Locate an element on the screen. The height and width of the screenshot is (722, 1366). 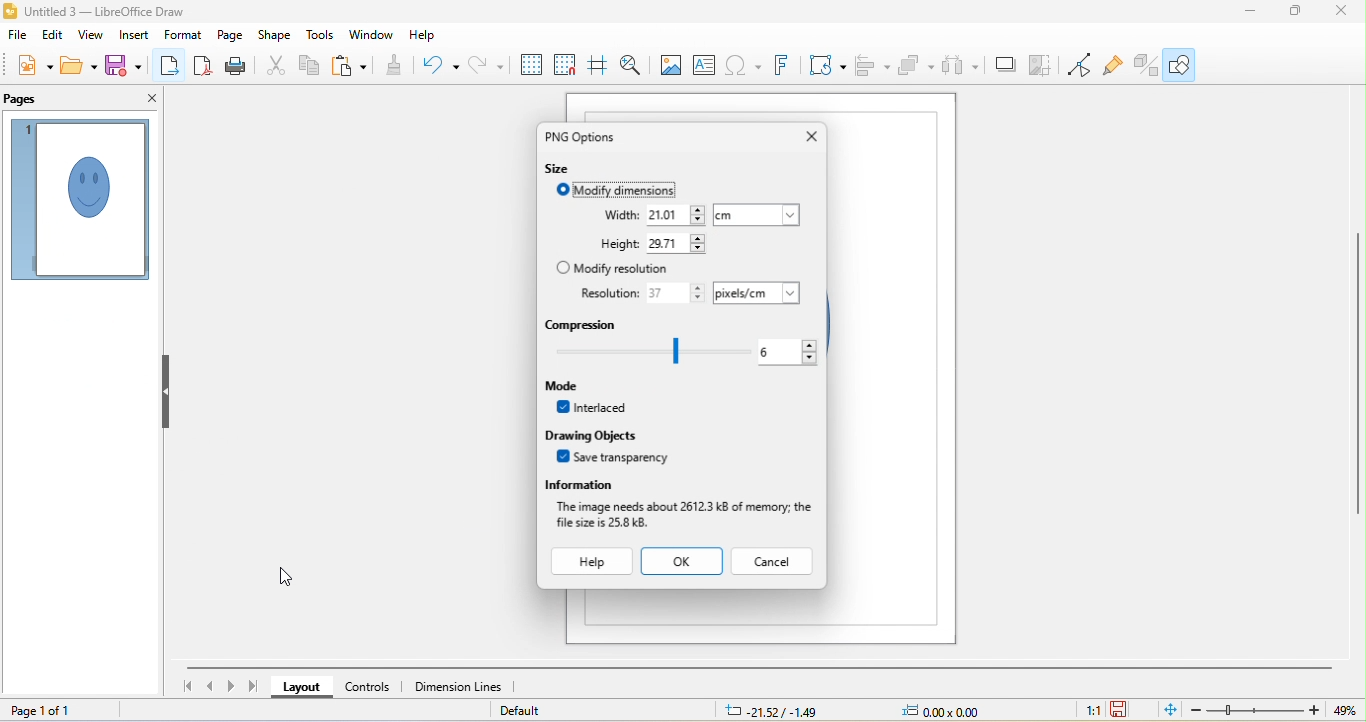
fit to current window is located at coordinates (1169, 711).